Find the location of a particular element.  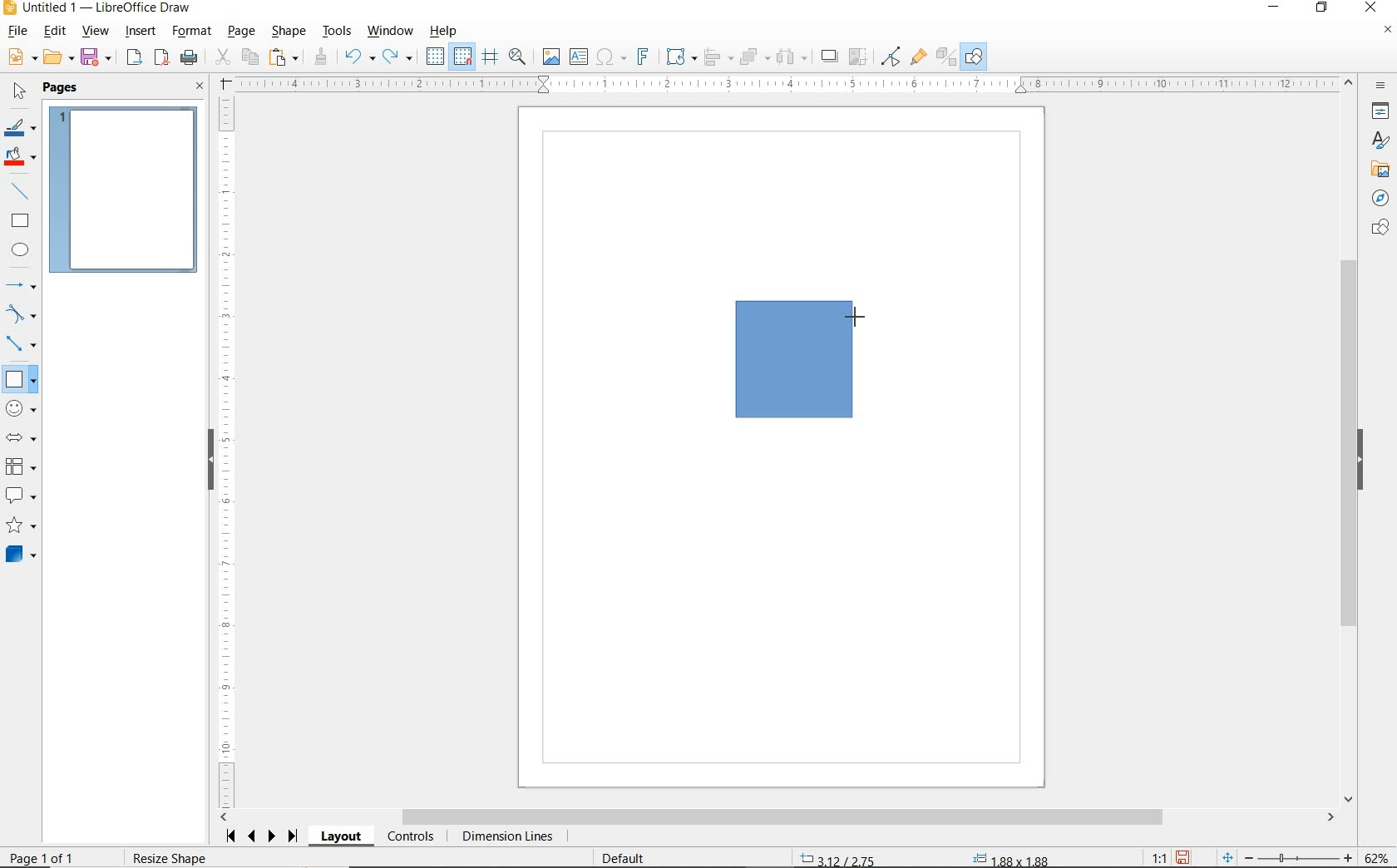

DRAWING SQUARE is located at coordinates (792, 358).